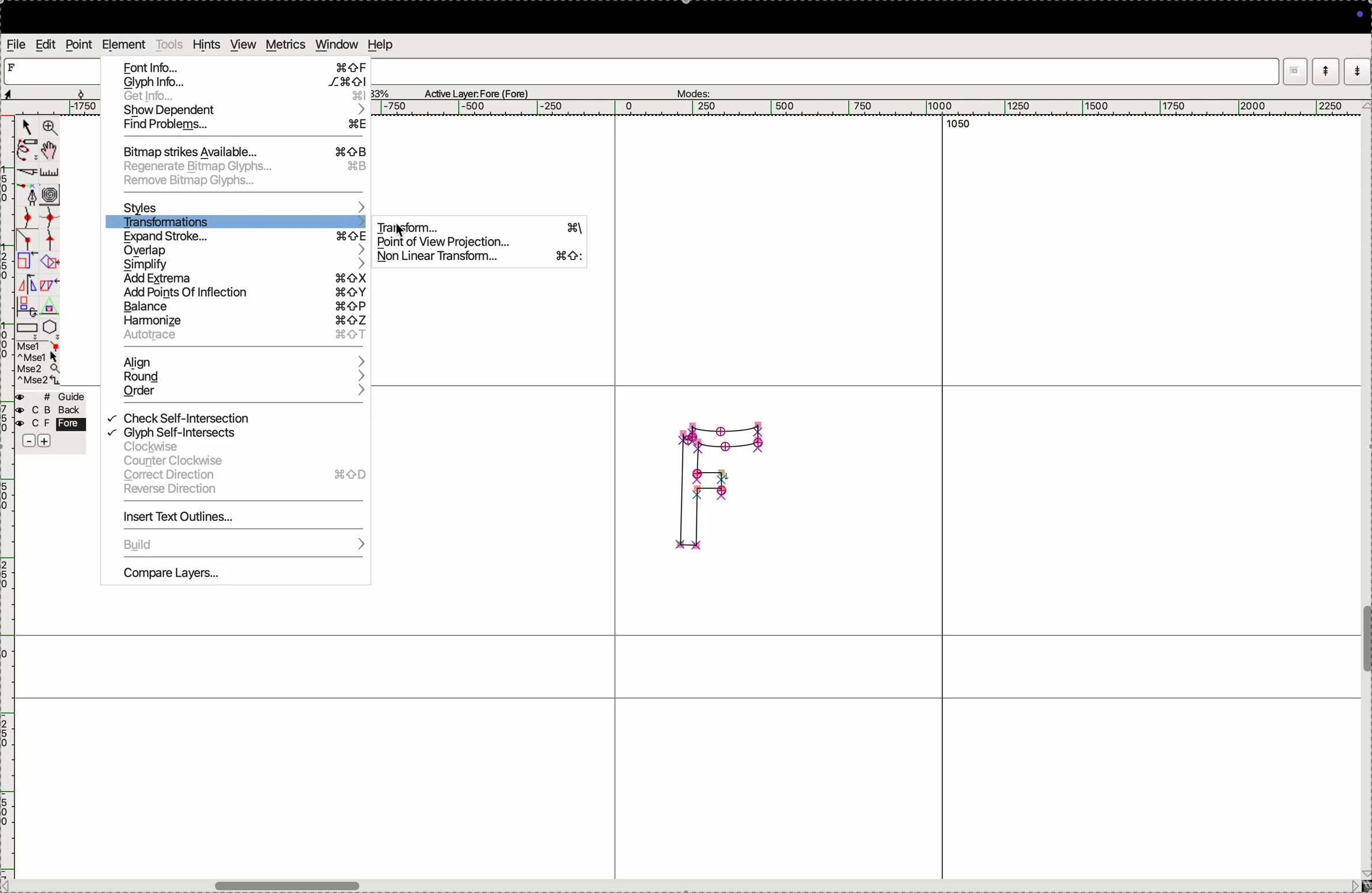 This screenshot has height=893, width=1372. What do you see at coordinates (244, 238) in the screenshot?
I see `expand stroke` at bounding box center [244, 238].